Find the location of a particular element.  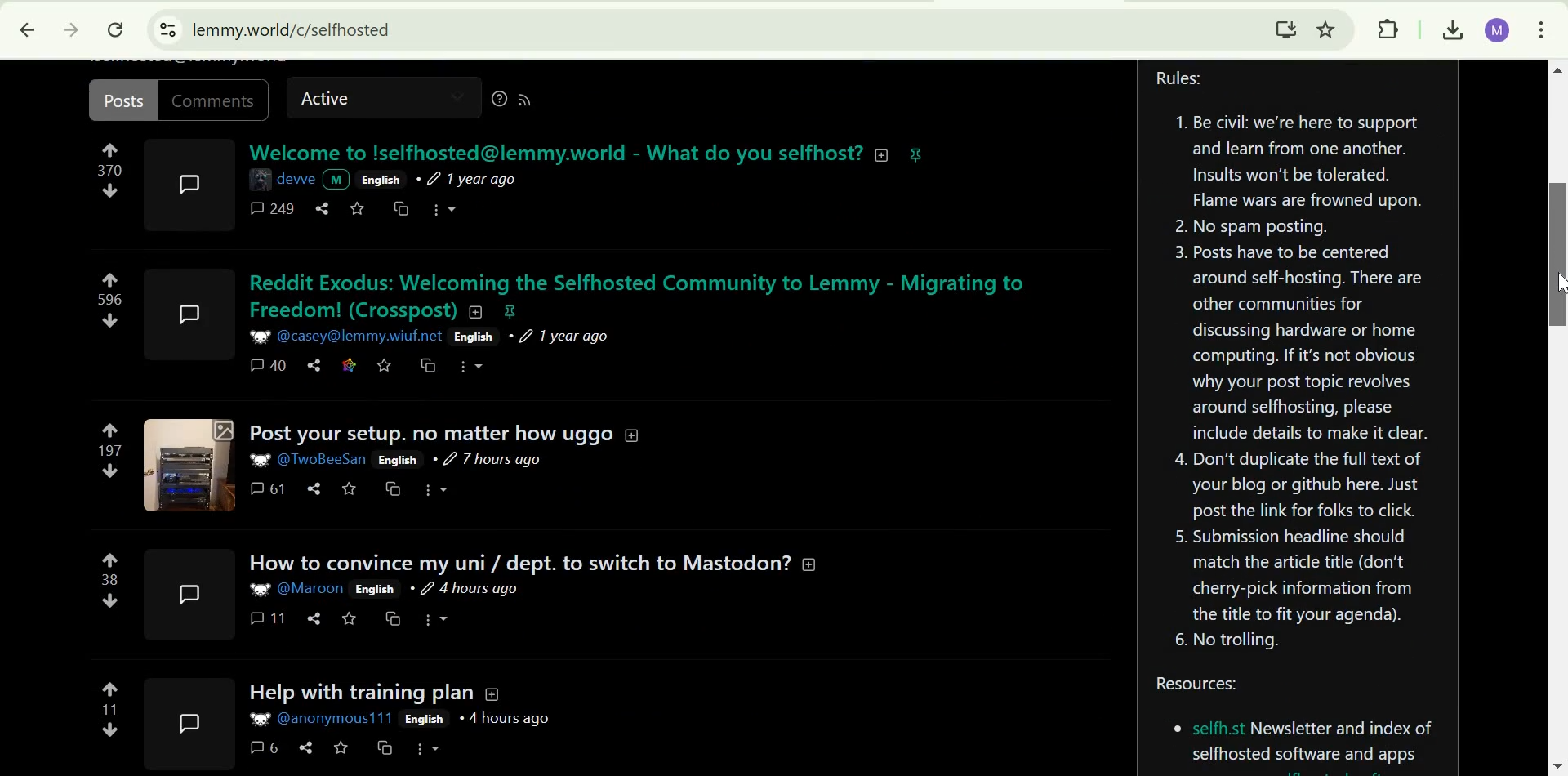

downloads is located at coordinates (1450, 31).